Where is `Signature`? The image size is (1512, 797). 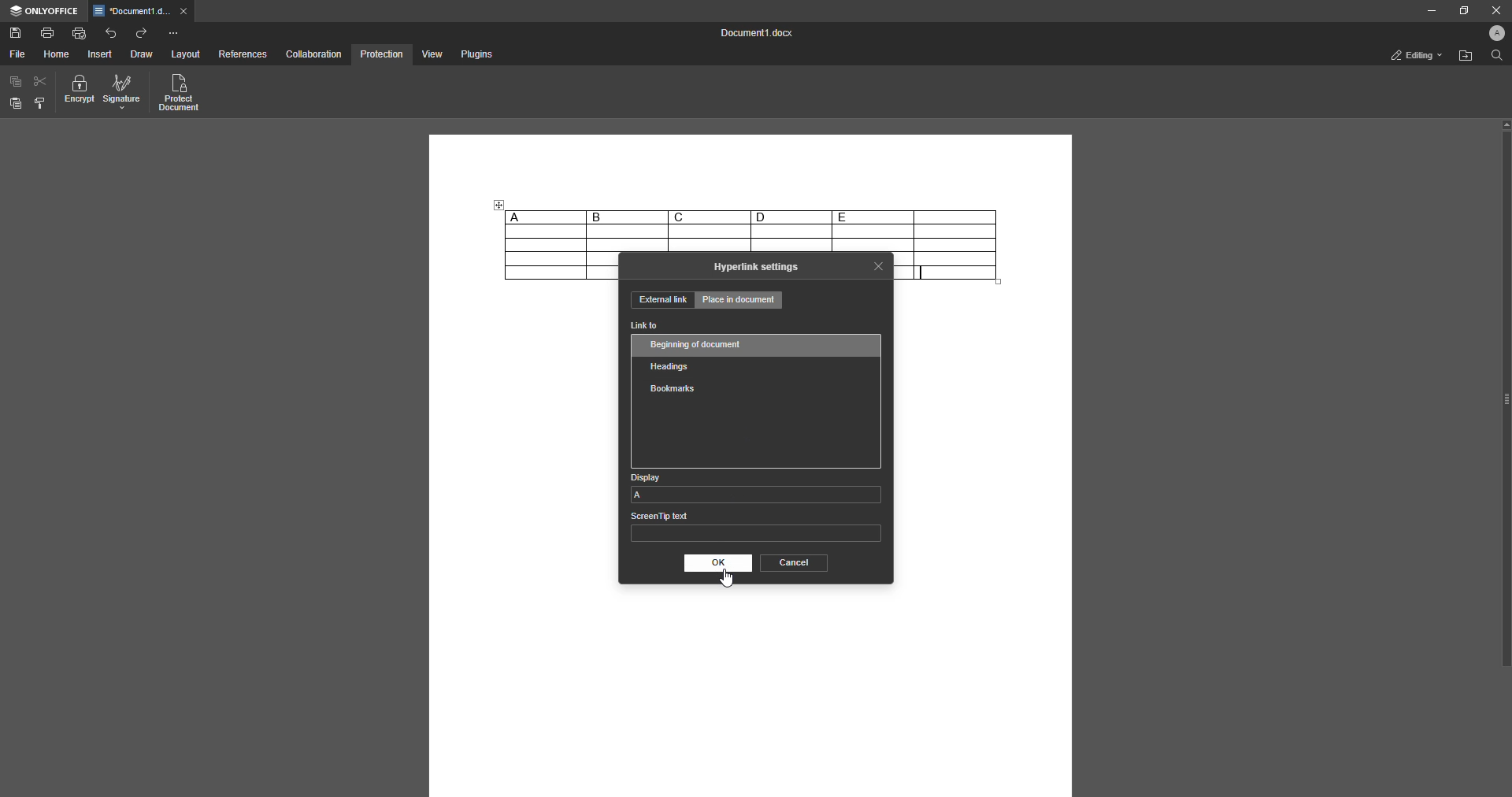
Signature is located at coordinates (122, 93).